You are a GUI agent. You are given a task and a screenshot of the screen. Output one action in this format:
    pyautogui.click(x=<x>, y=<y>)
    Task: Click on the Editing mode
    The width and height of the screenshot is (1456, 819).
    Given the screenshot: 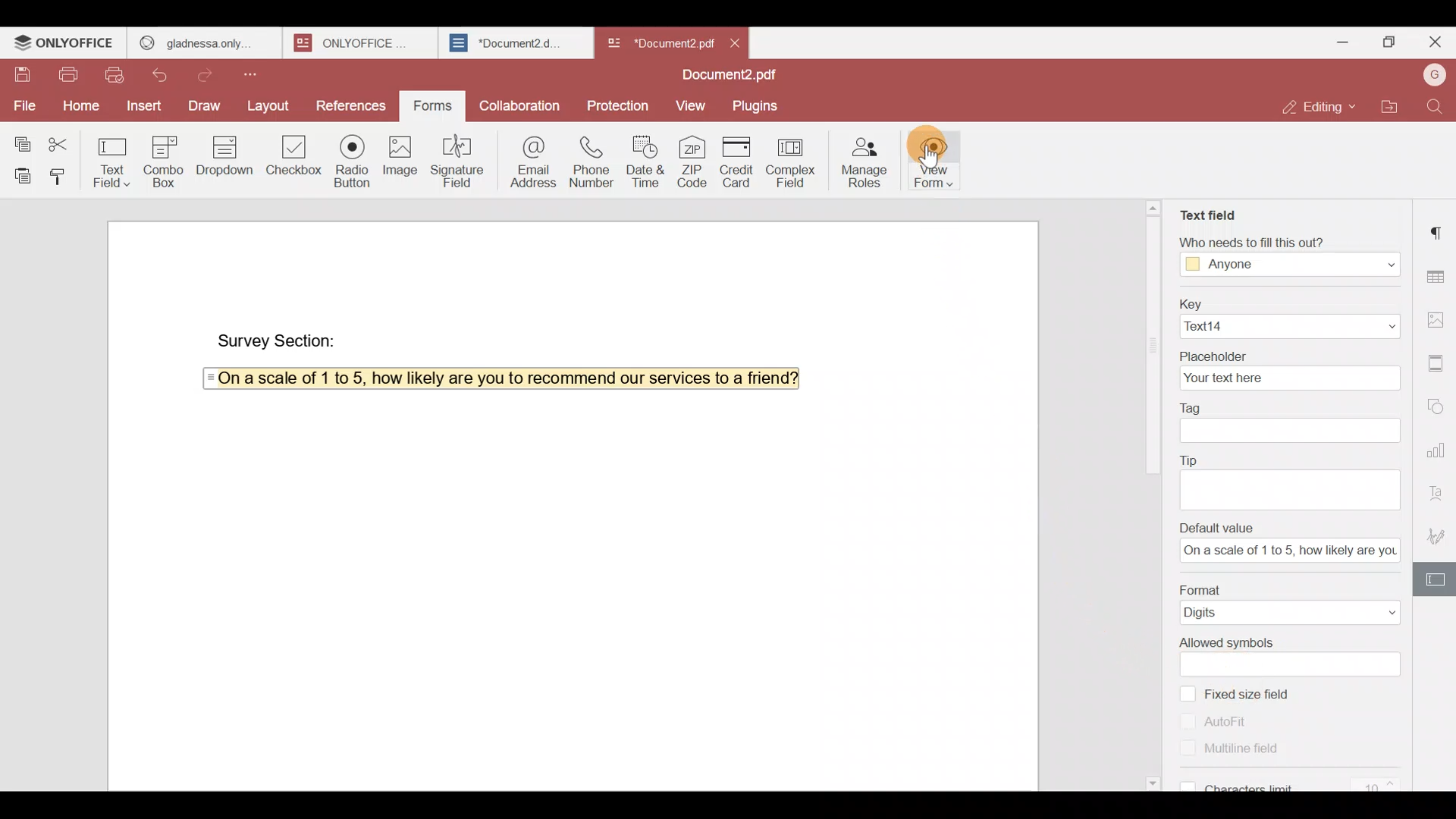 What is the action you would take?
    pyautogui.click(x=1321, y=102)
    